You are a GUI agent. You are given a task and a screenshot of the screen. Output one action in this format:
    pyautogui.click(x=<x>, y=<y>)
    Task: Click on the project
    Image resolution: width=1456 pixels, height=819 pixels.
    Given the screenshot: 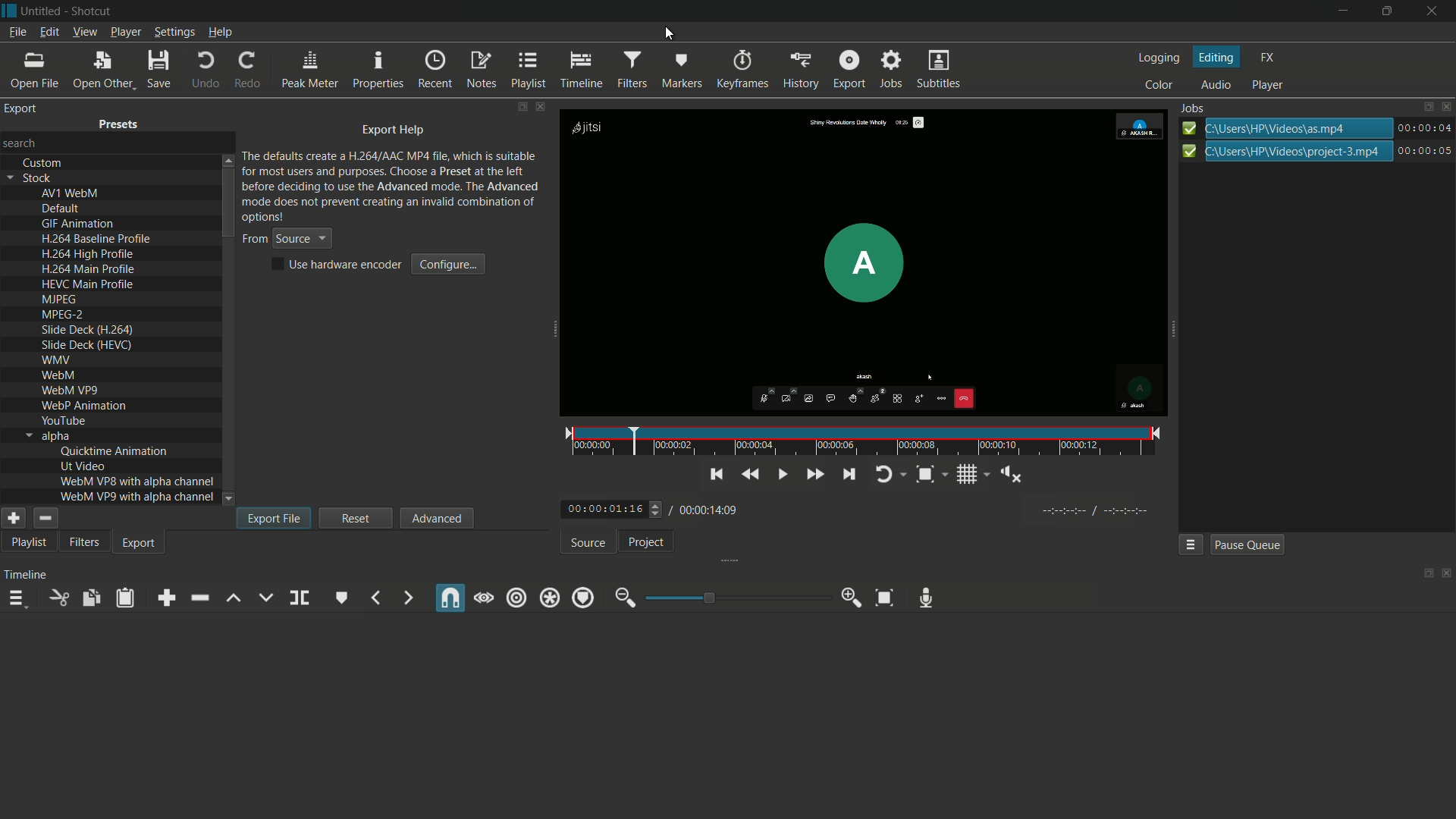 What is the action you would take?
    pyautogui.click(x=645, y=542)
    